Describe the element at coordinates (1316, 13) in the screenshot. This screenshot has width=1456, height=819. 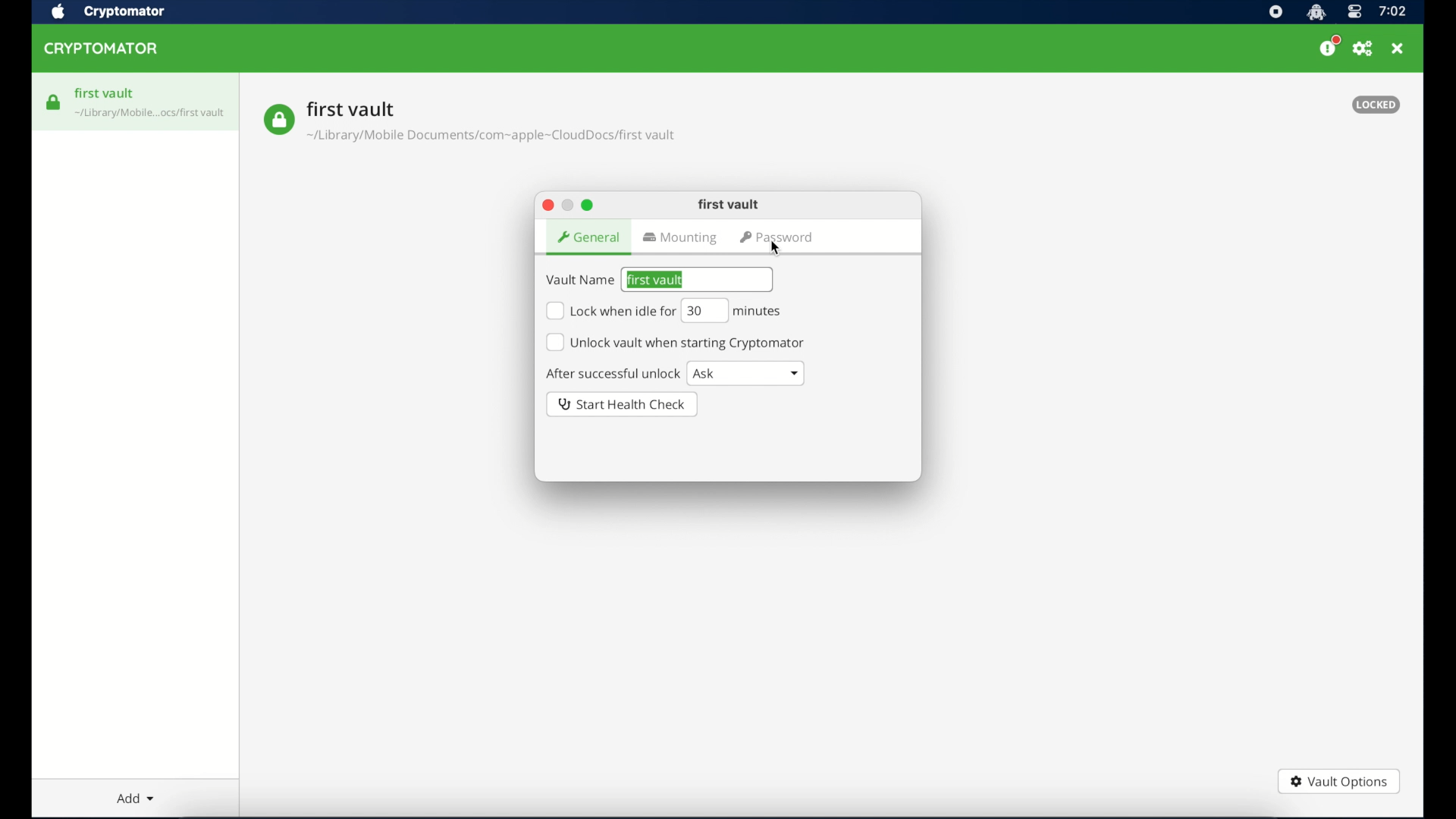
I see `cryptomator icon` at that location.